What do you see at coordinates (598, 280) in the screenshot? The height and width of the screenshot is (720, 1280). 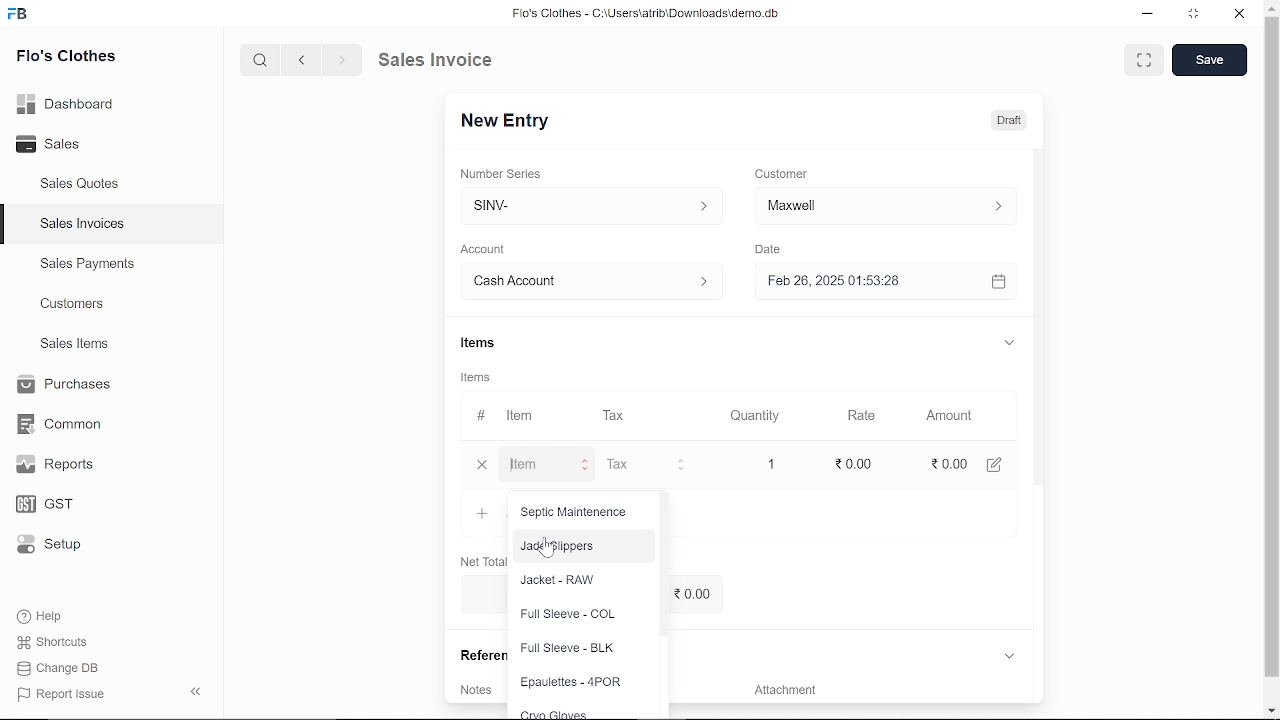 I see `Account :` at bounding box center [598, 280].